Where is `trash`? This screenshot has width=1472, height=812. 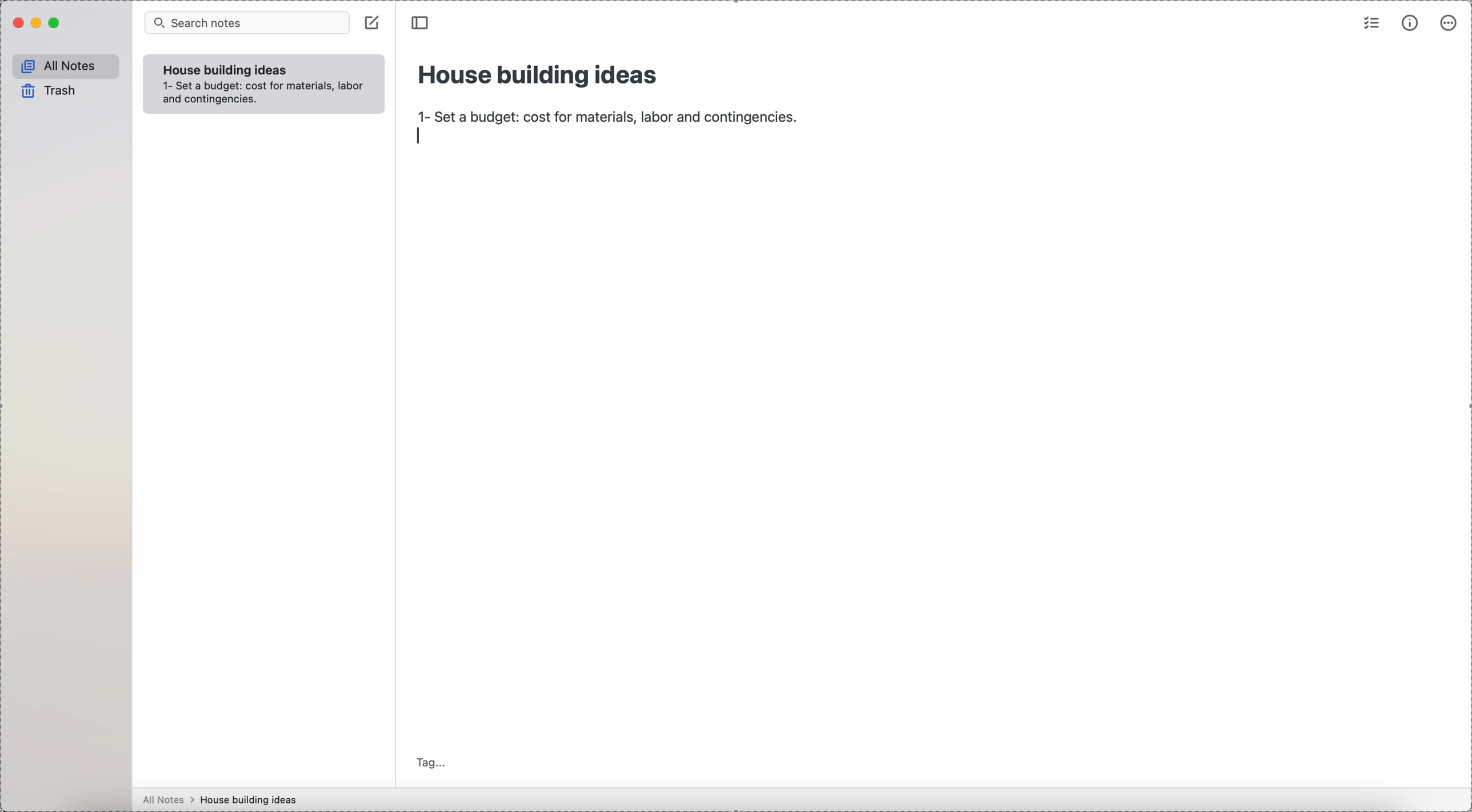 trash is located at coordinates (47, 91).